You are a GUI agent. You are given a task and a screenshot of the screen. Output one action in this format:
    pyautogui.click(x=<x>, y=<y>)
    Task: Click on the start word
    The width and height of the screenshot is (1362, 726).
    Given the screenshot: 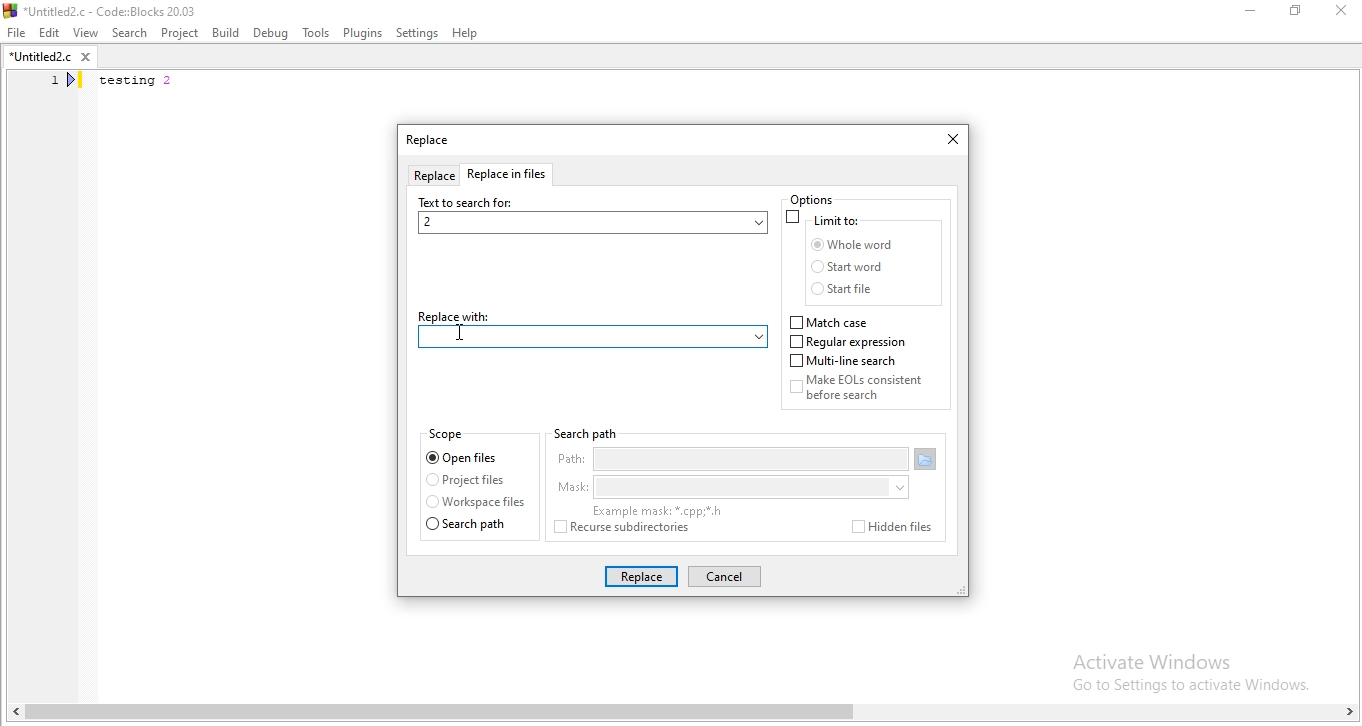 What is the action you would take?
    pyautogui.click(x=850, y=268)
    